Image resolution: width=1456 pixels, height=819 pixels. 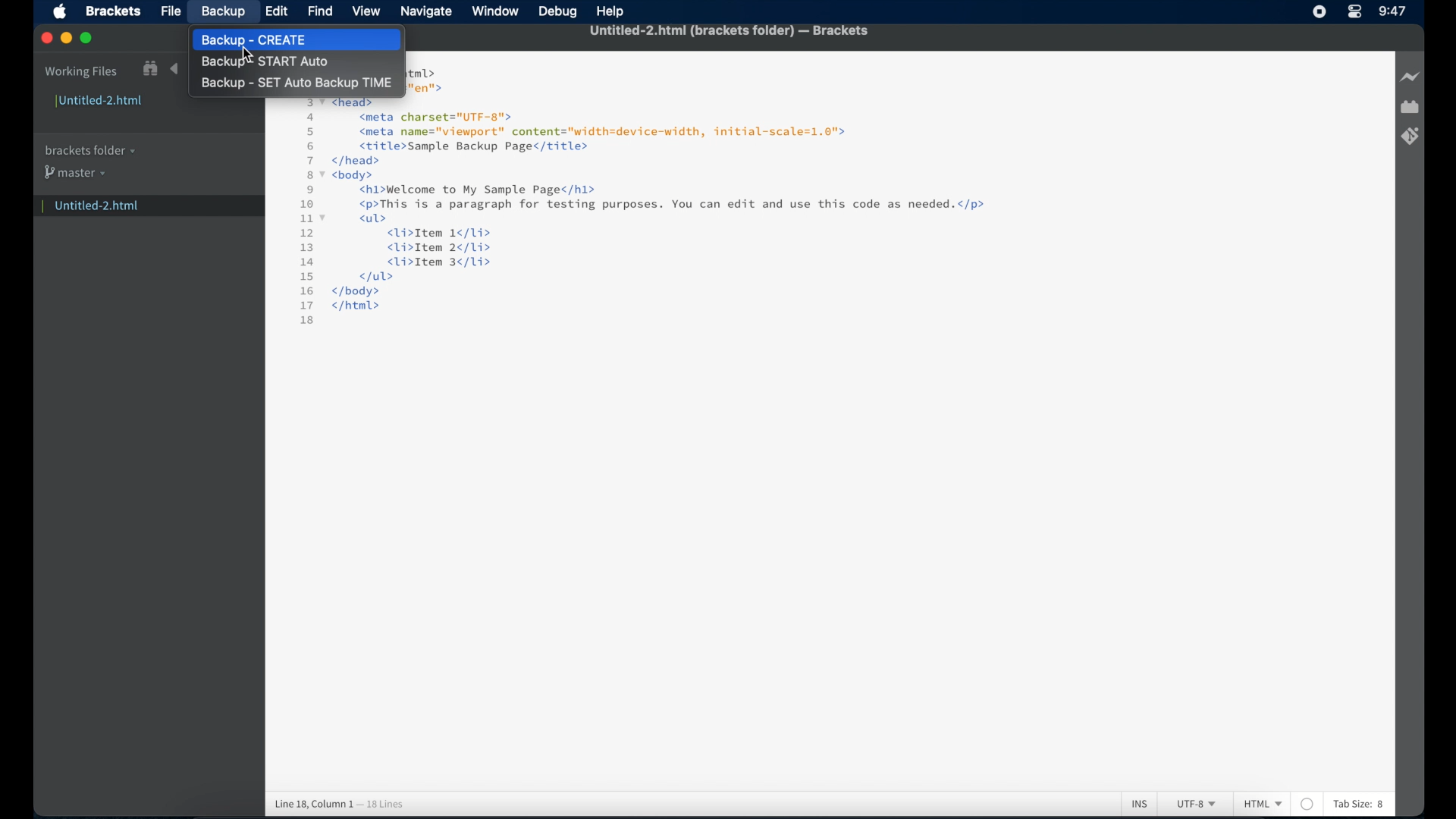 What do you see at coordinates (427, 13) in the screenshot?
I see `navigate` at bounding box center [427, 13].